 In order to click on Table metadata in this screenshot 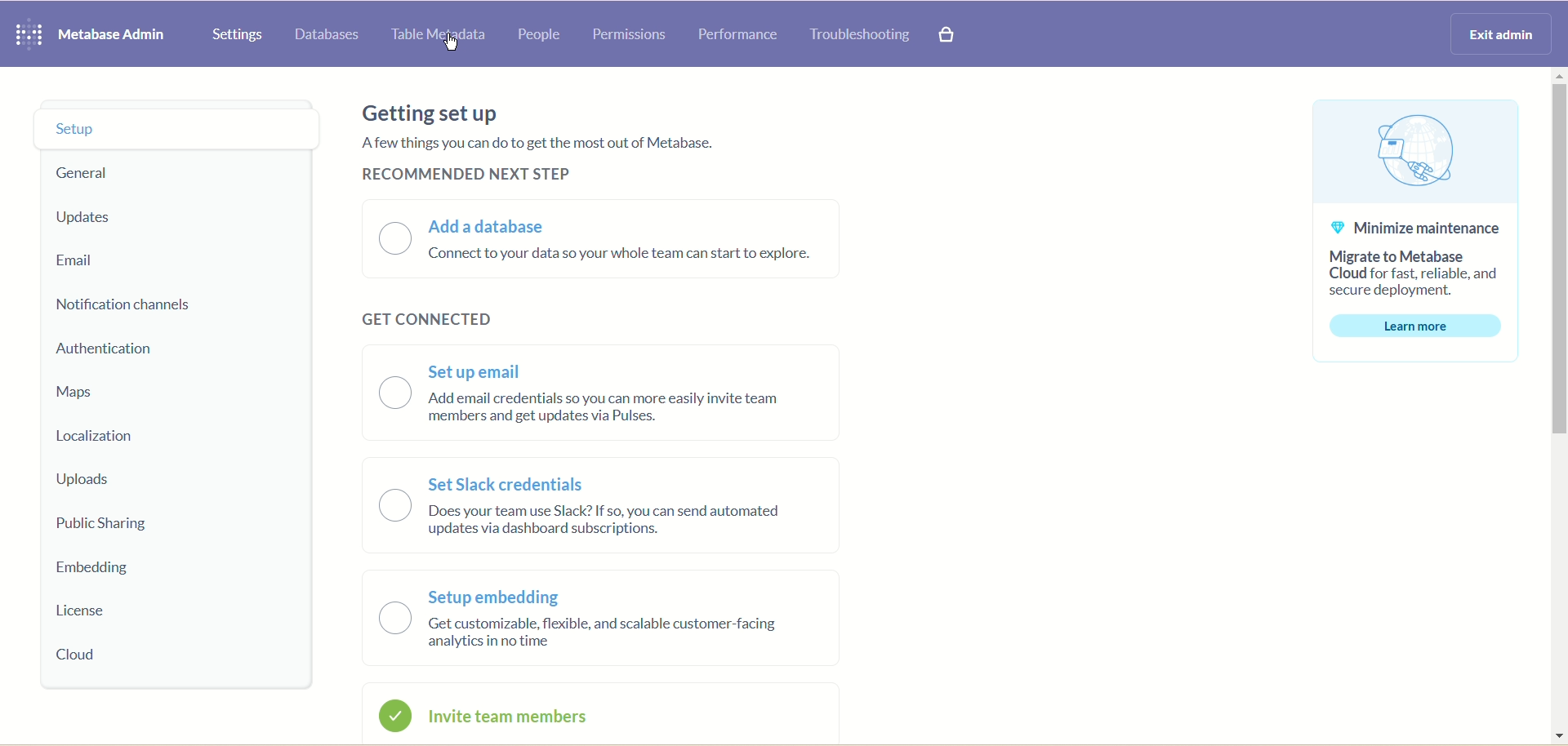, I will do `click(440, 35)`.